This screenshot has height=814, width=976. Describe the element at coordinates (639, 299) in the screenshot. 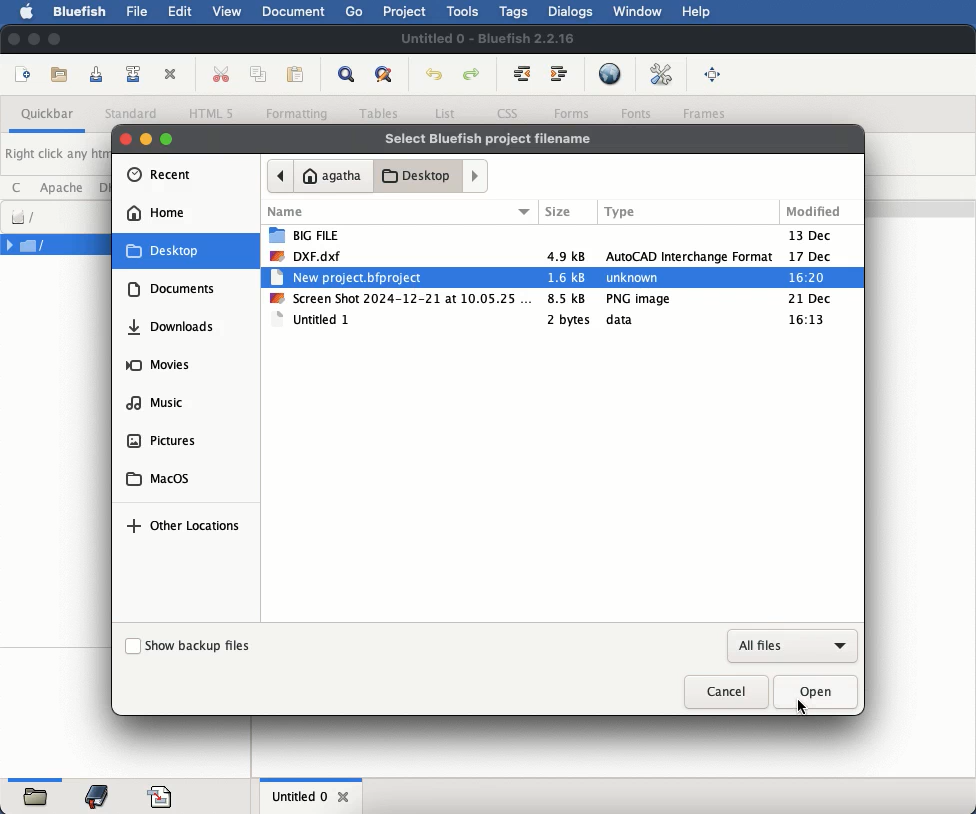

I see `PNG image` at that location.